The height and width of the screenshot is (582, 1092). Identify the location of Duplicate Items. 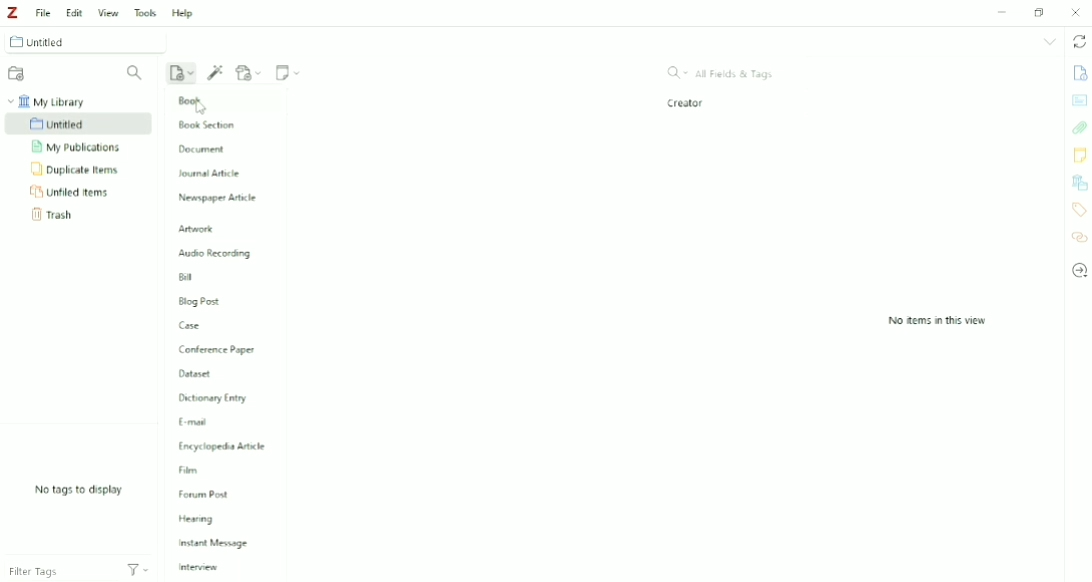
(77, 170).